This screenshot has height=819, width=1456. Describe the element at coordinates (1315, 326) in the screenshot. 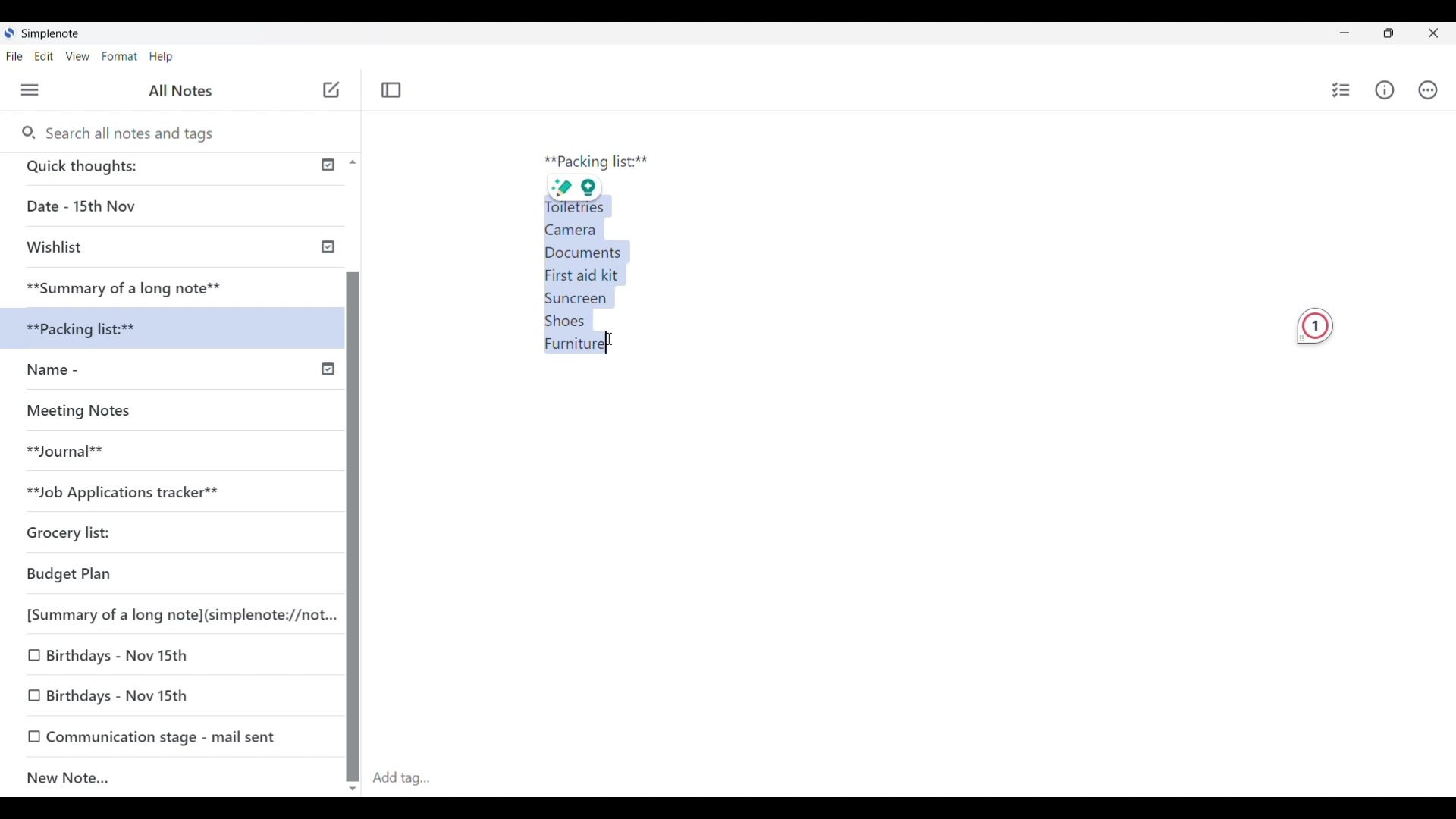

I see `Grammarly extension` at that location.